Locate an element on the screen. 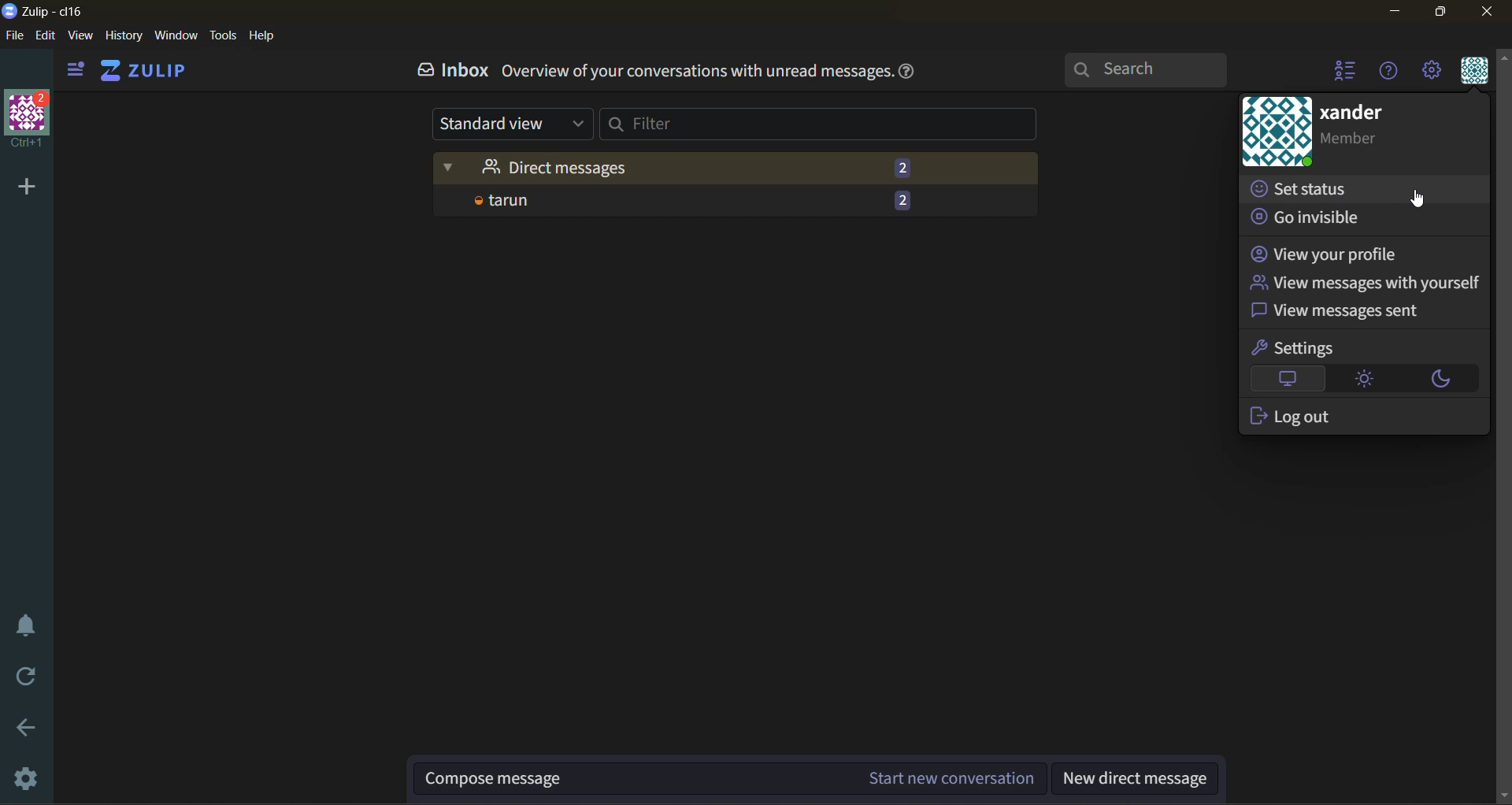 The width and height of the screenshot is (1512, 805). file is located at coordinates (20, 37).